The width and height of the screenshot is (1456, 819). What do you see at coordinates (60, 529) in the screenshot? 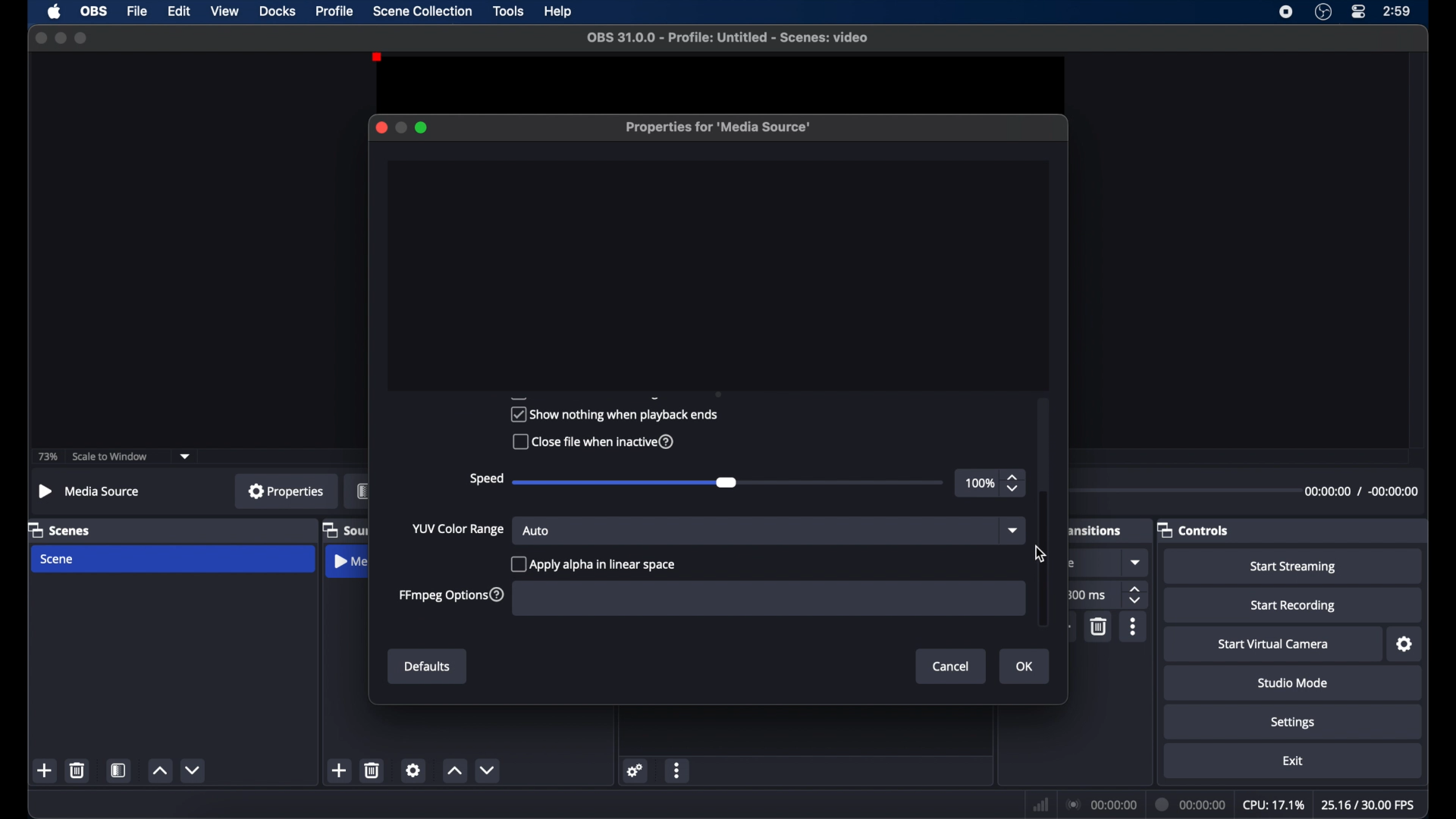
I see `scenes` at bounding box center [60, 529].